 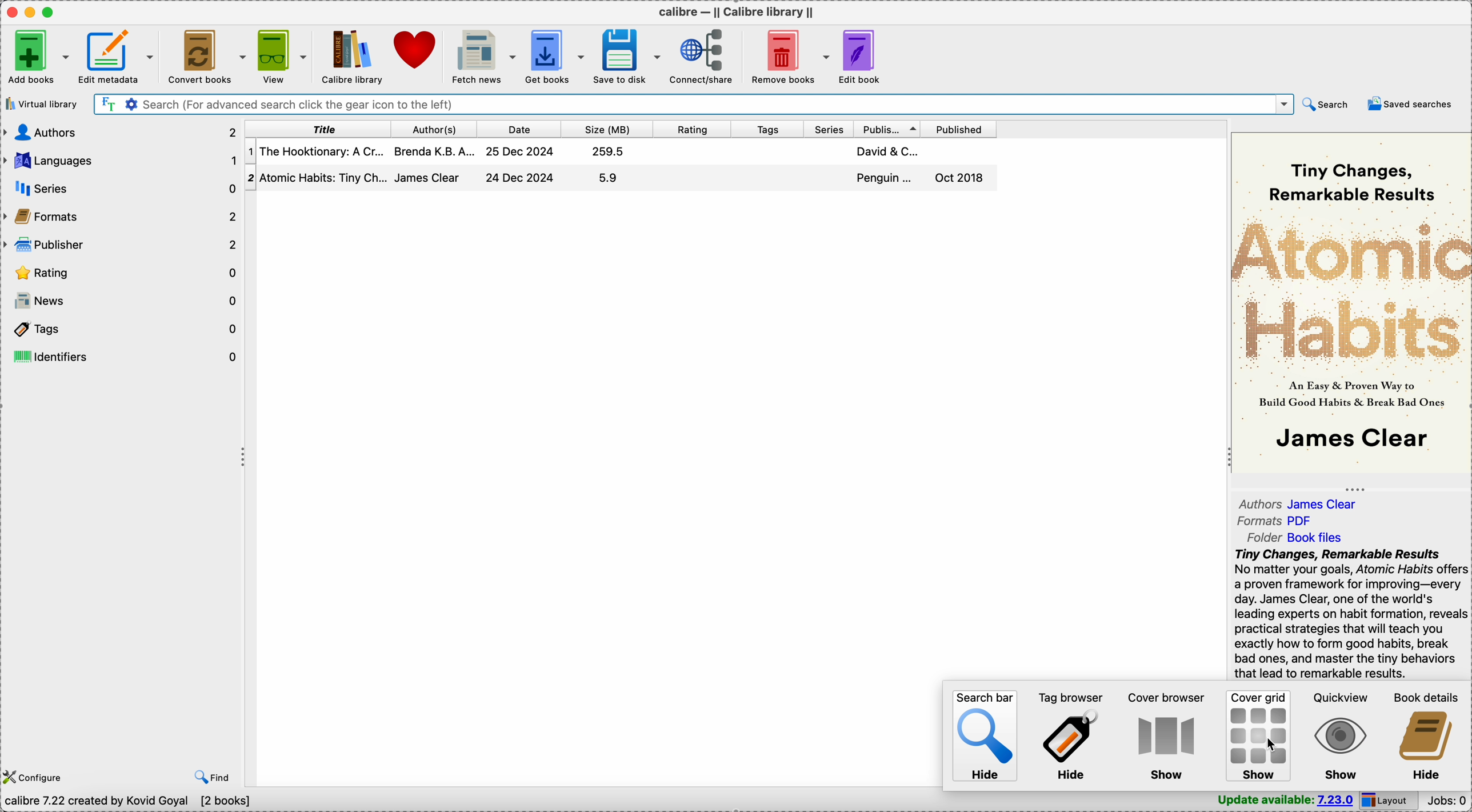 What do you see at coordinates (1353, 440) in the screenshot?
I see `James clear` at bounding box center [1353, 440].